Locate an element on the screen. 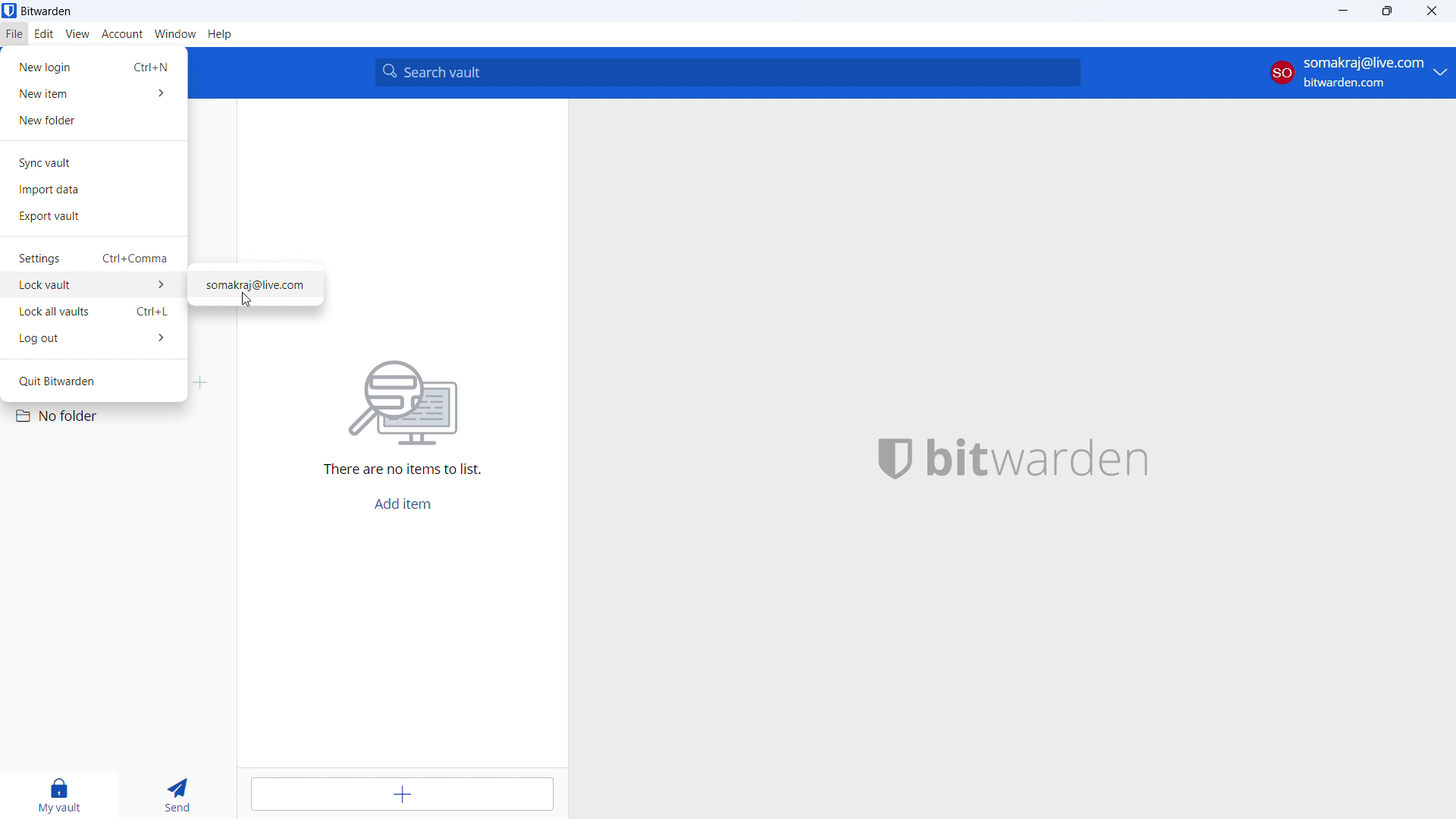  quit bitwarden is located at coordinates (93, 381).